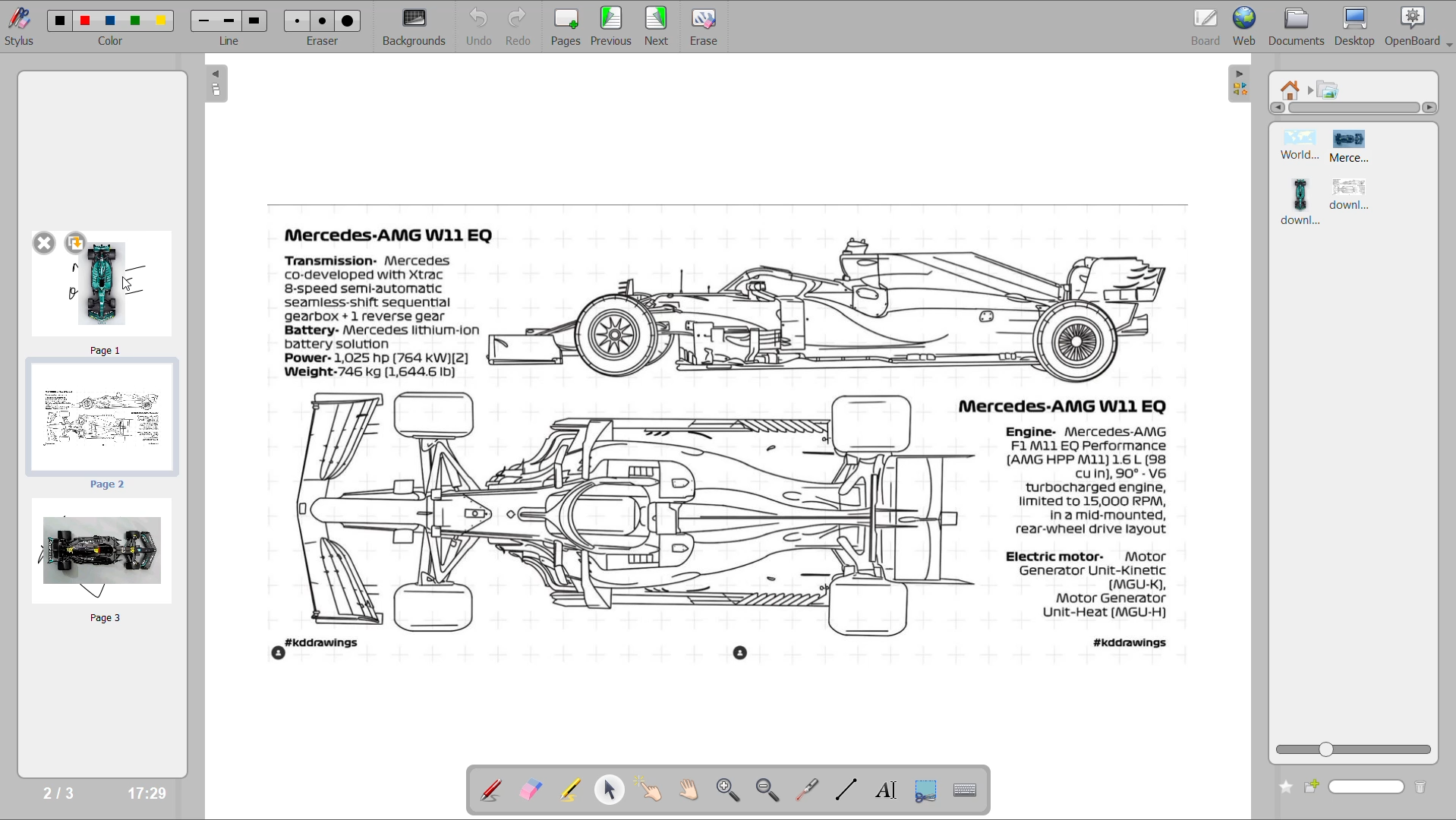  Describe the element at coordinates (527, 791) in the screenshot. I see `erase annotation` at that location.